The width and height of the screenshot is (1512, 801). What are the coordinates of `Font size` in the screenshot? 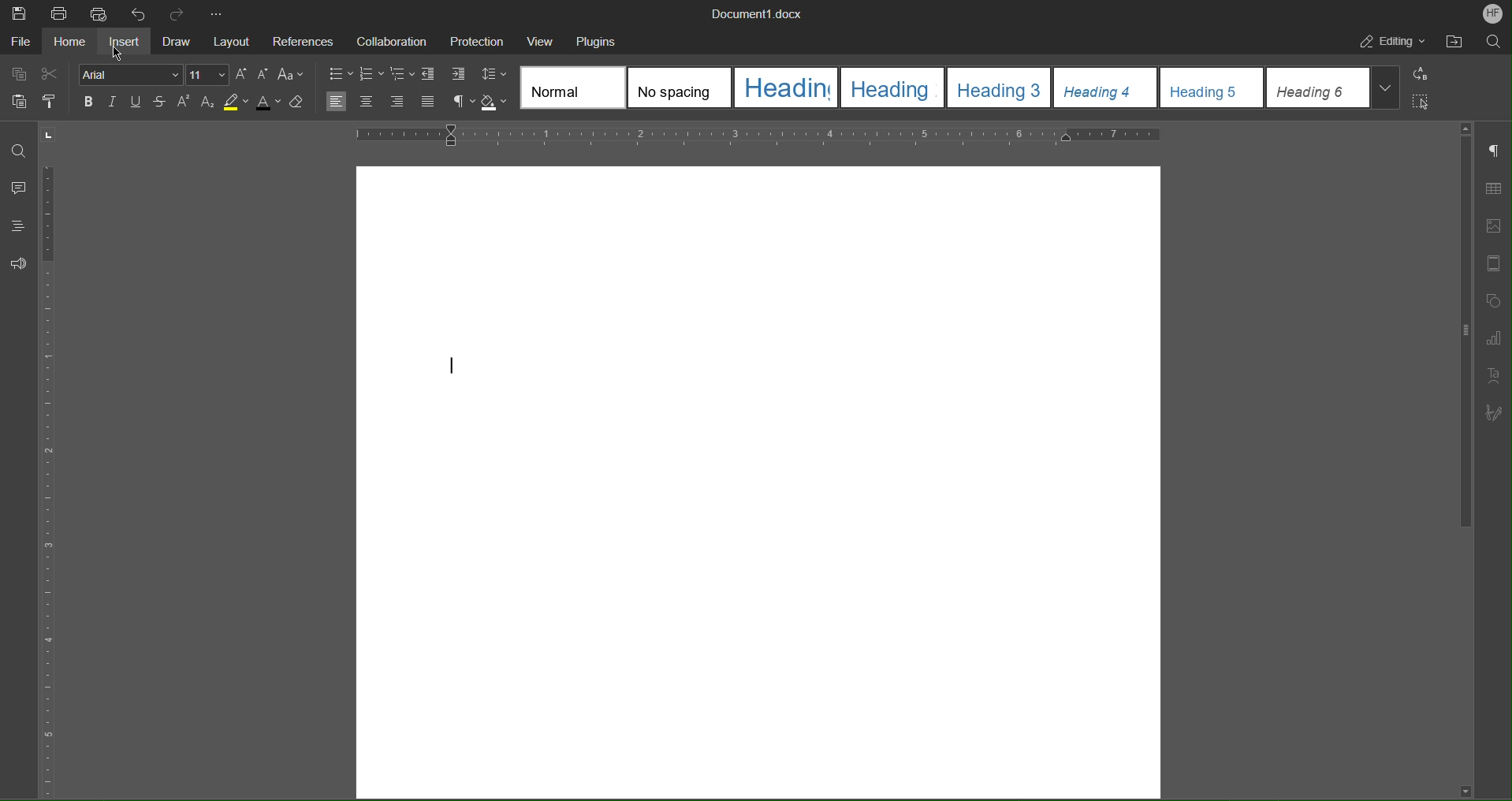 It's located at (207, 75).